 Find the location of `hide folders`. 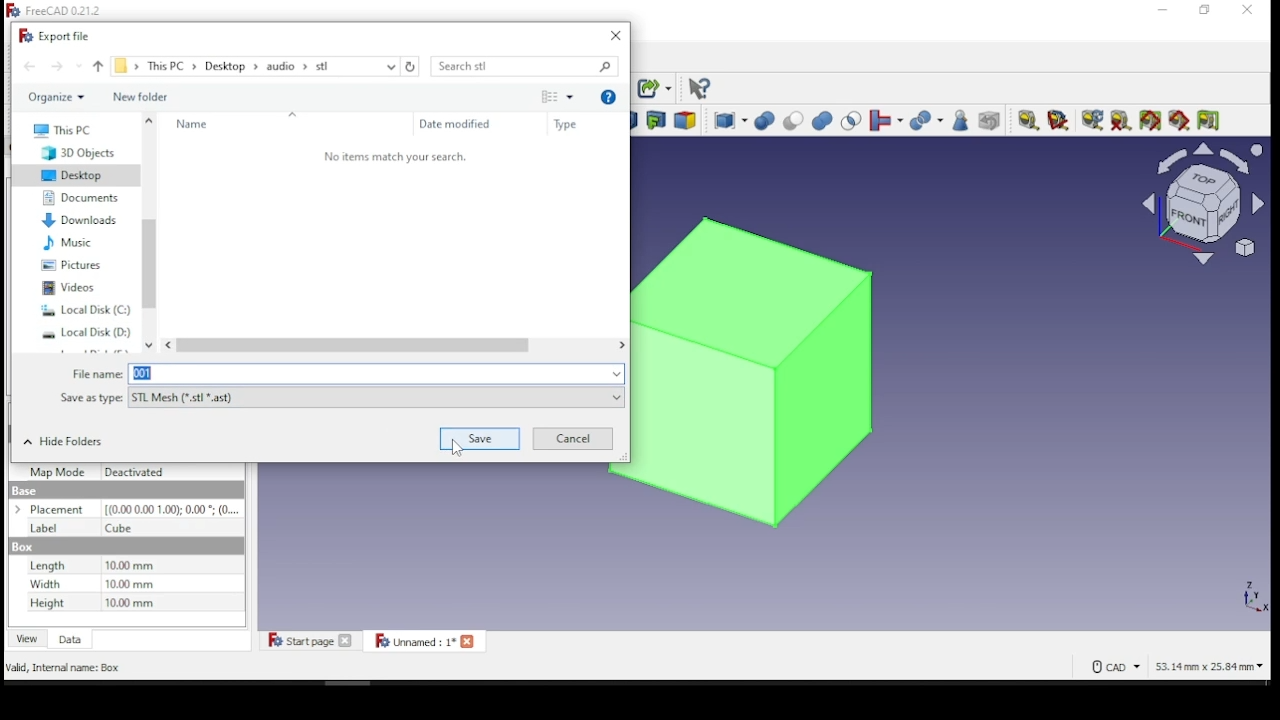

hide folders is located at coordinates (76, 443).